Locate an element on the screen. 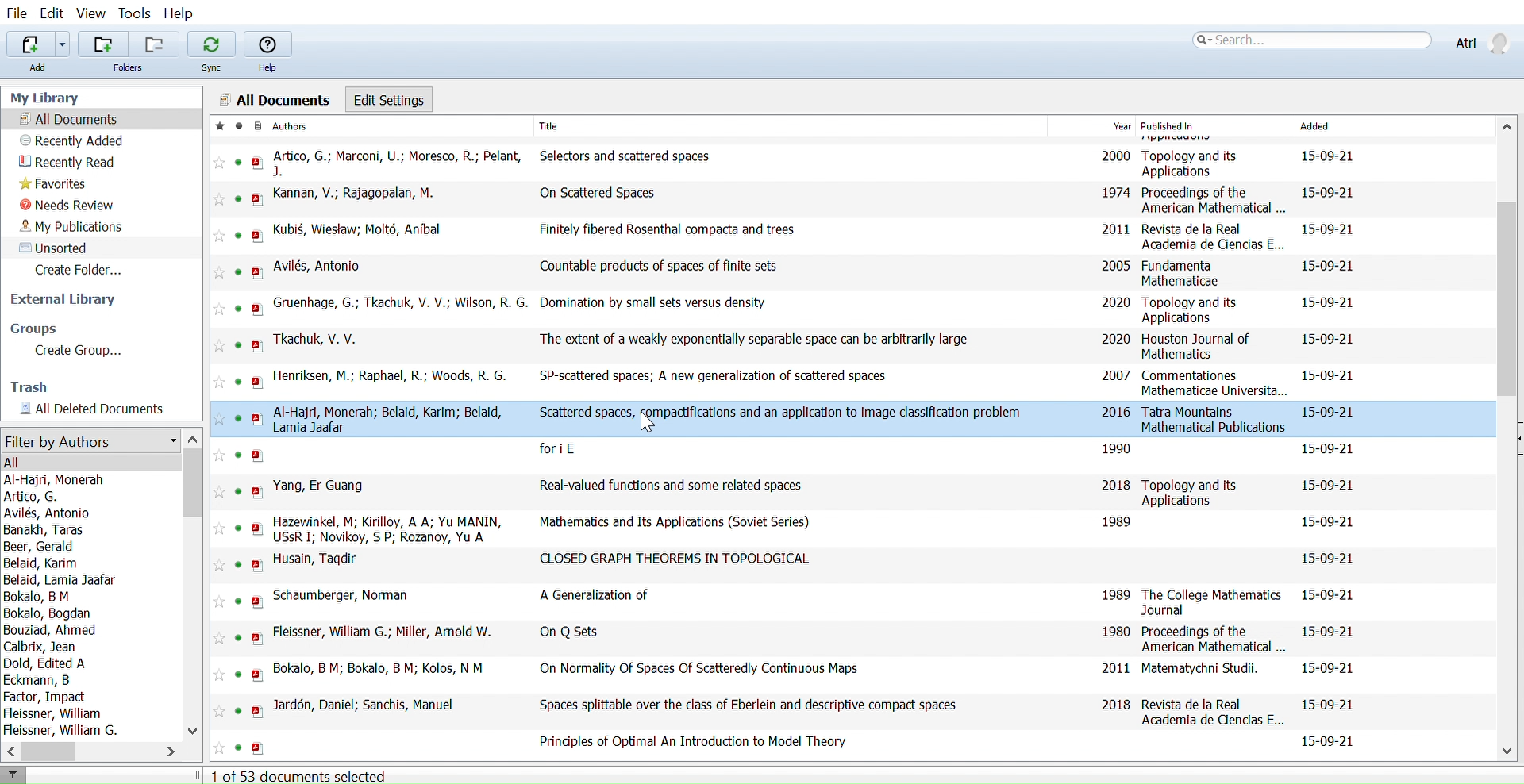  Trash is located at coordinates (37, 386).